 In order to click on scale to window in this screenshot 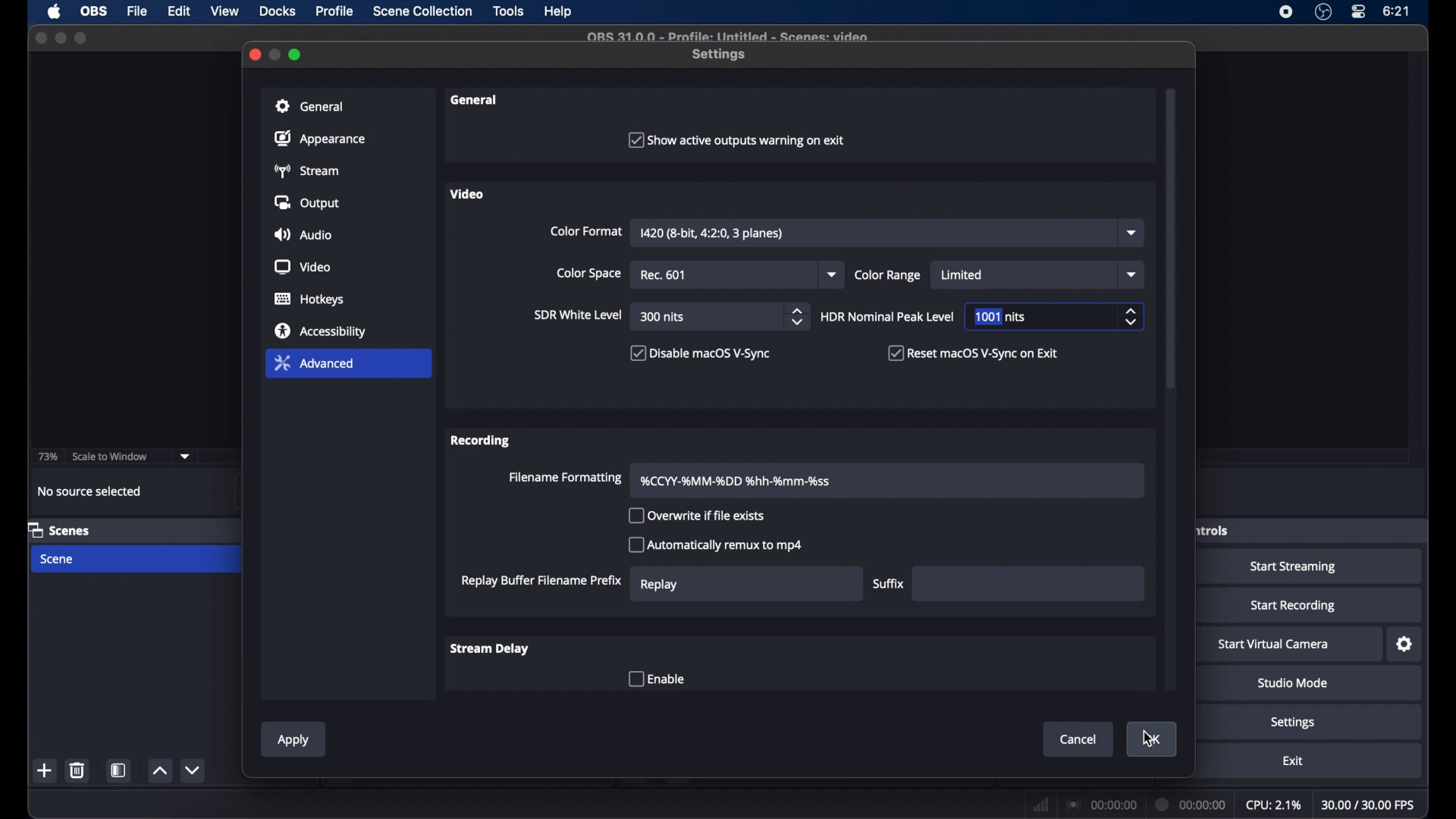, I will do `click(111, 455)`.